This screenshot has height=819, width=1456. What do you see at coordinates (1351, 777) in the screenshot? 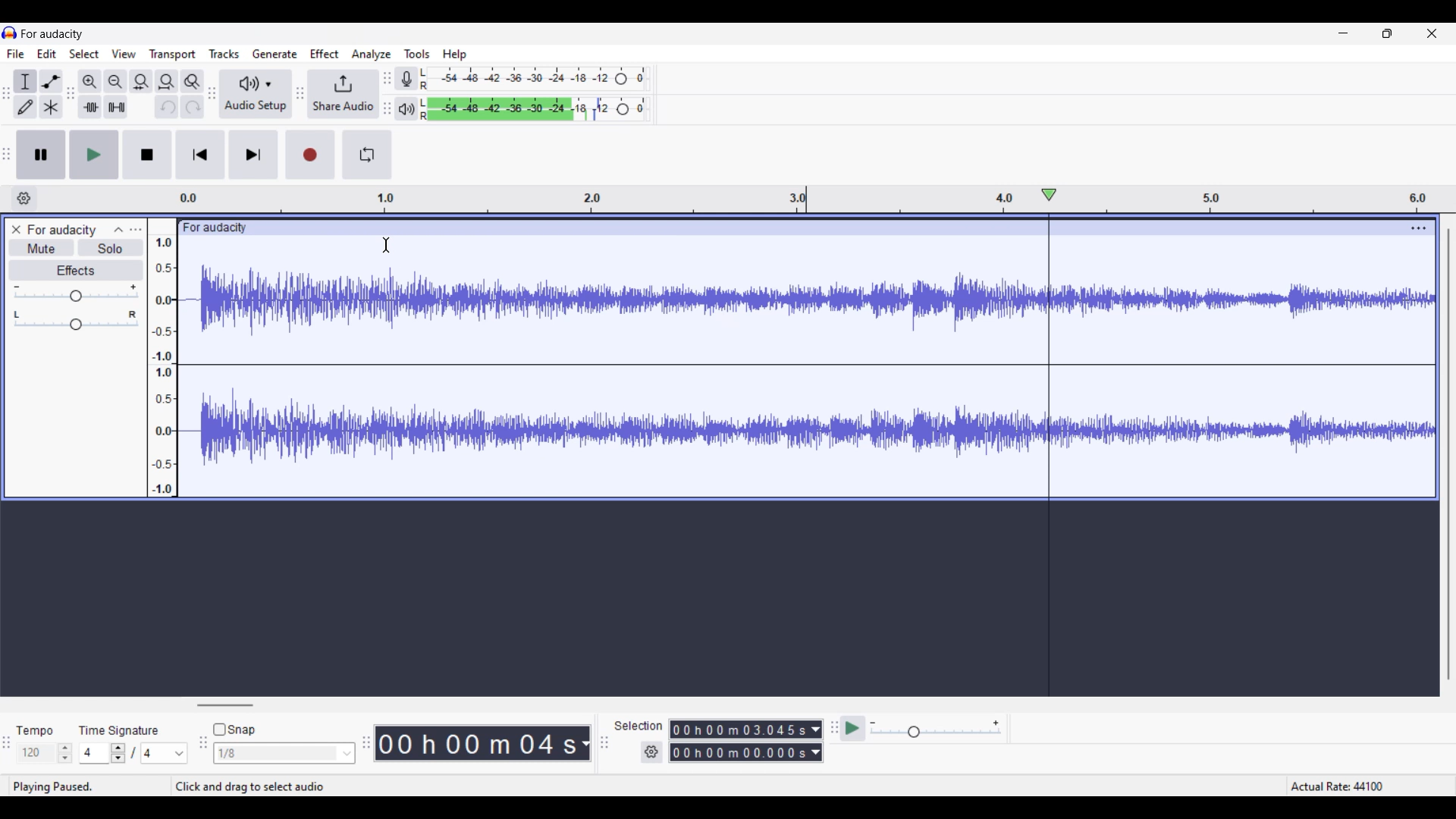
I see `Actual rate 44100` at bounding box center [1351, 777].